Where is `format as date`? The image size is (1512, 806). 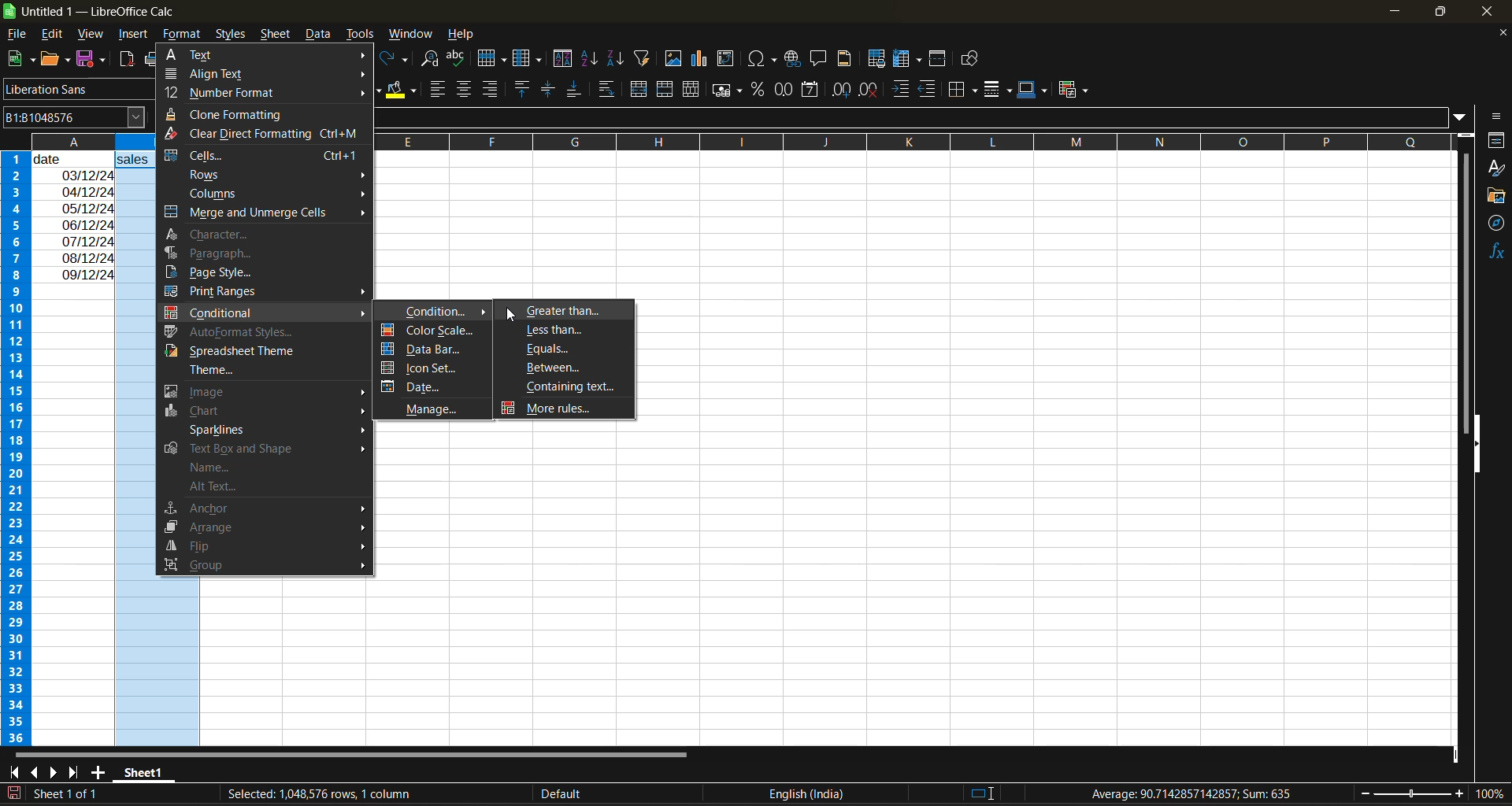
format as date is located at coordinates (808, 91).